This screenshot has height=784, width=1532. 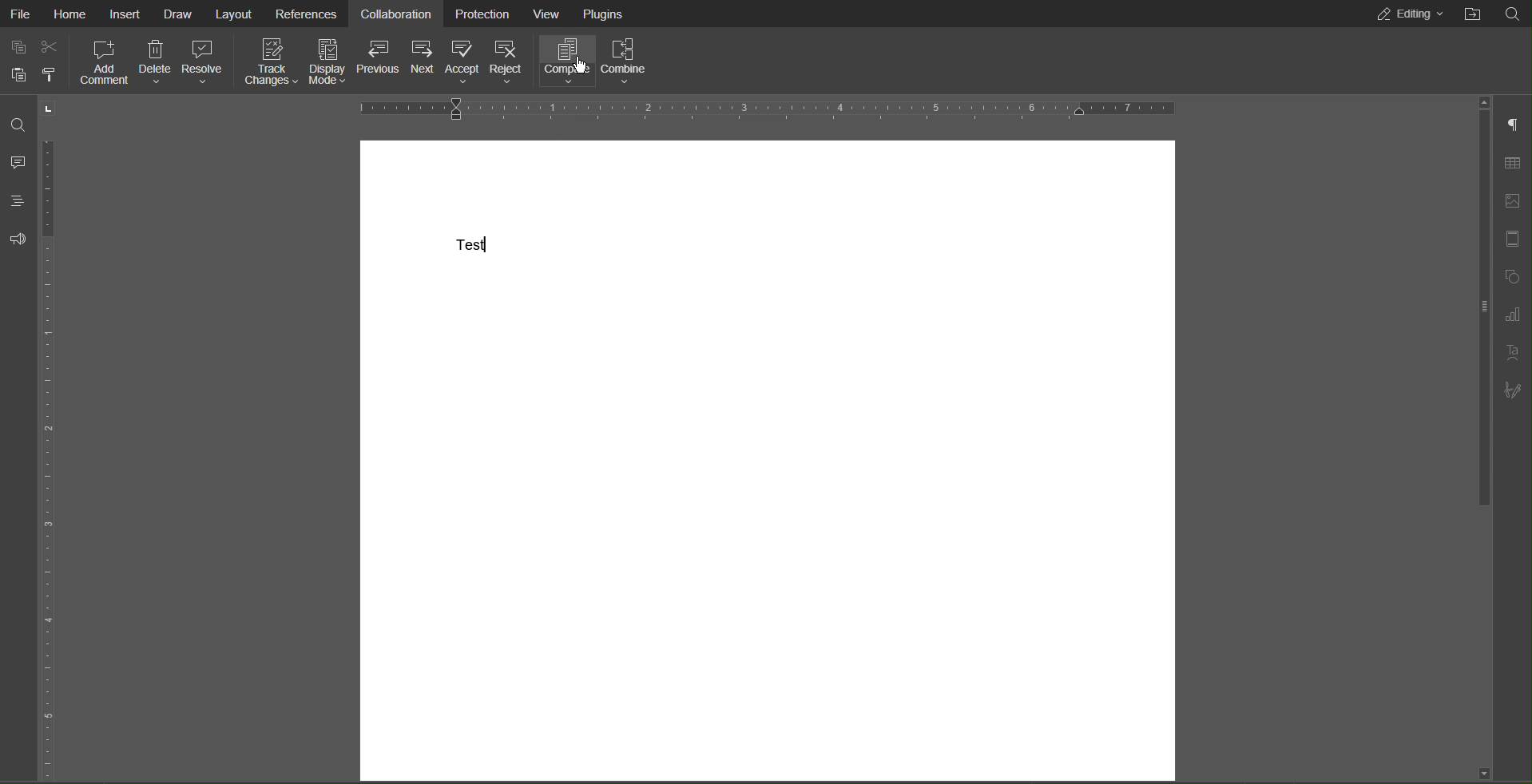 What do you see at coordinates (235, 14) in the screenshot?
I see `Layout` at bounding box center [235, 14].